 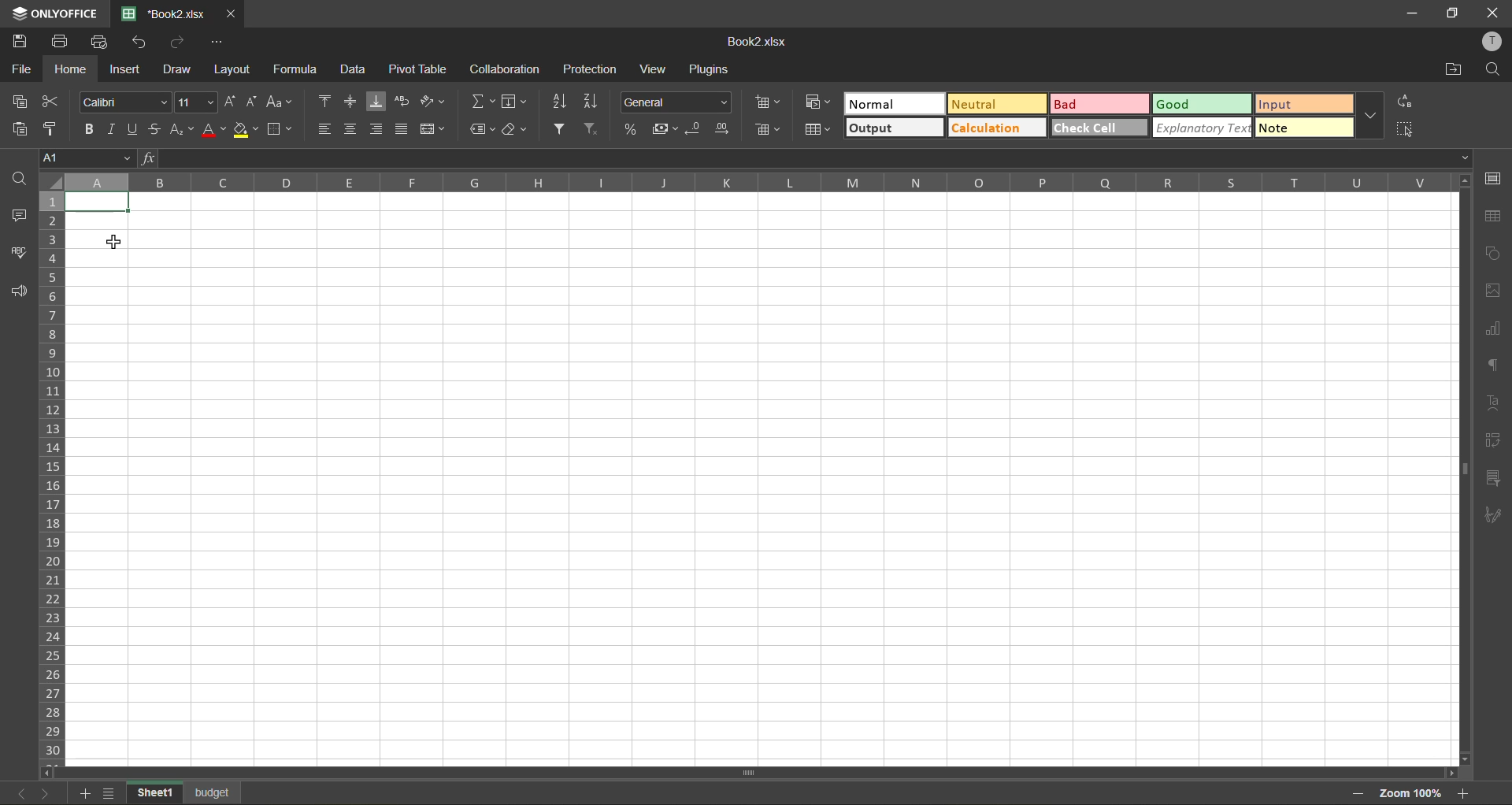 I want to click on next, so click(x=44, y=793).